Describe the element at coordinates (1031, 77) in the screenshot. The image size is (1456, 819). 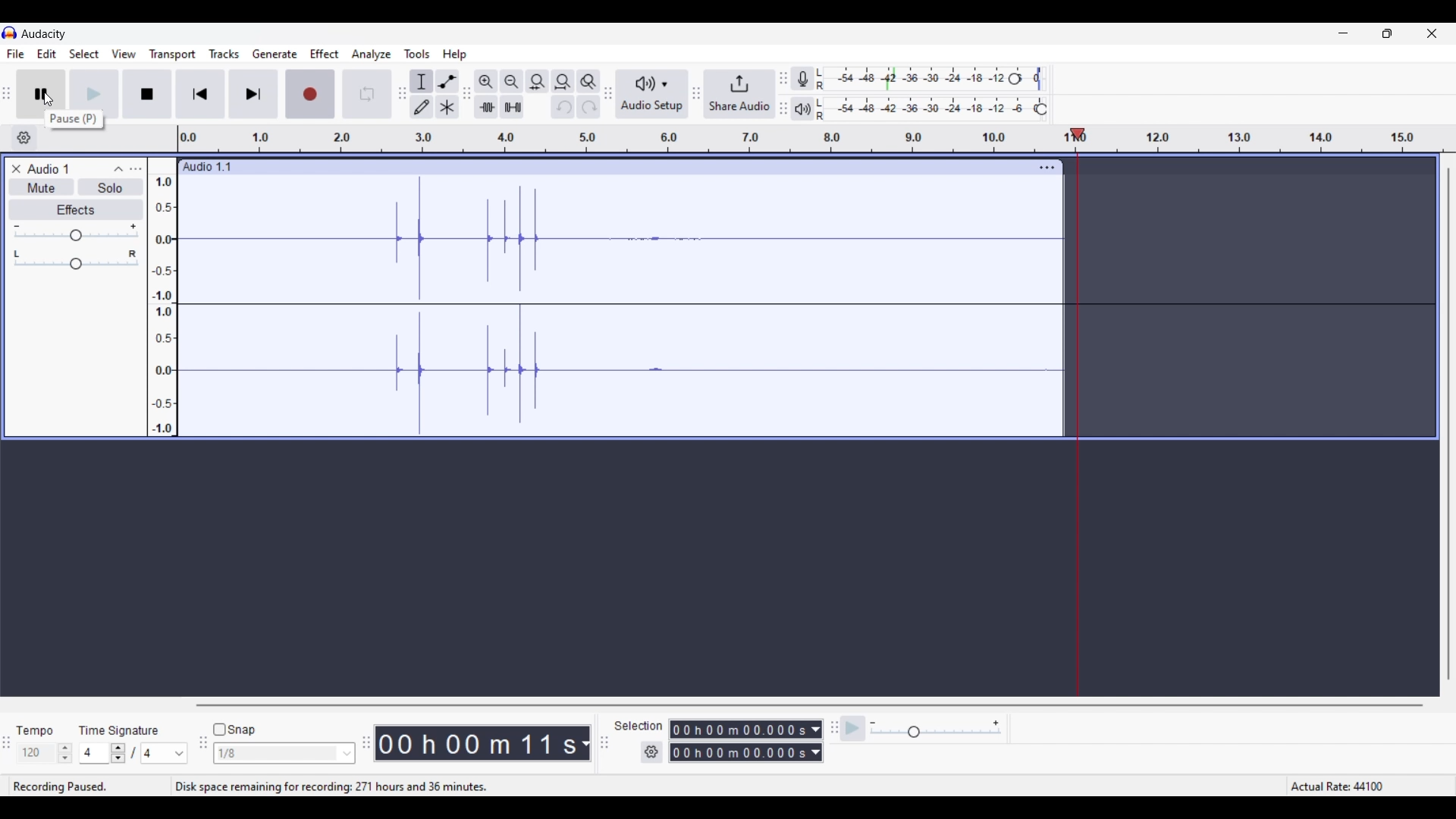
I see `Header to change recording level` at that location.